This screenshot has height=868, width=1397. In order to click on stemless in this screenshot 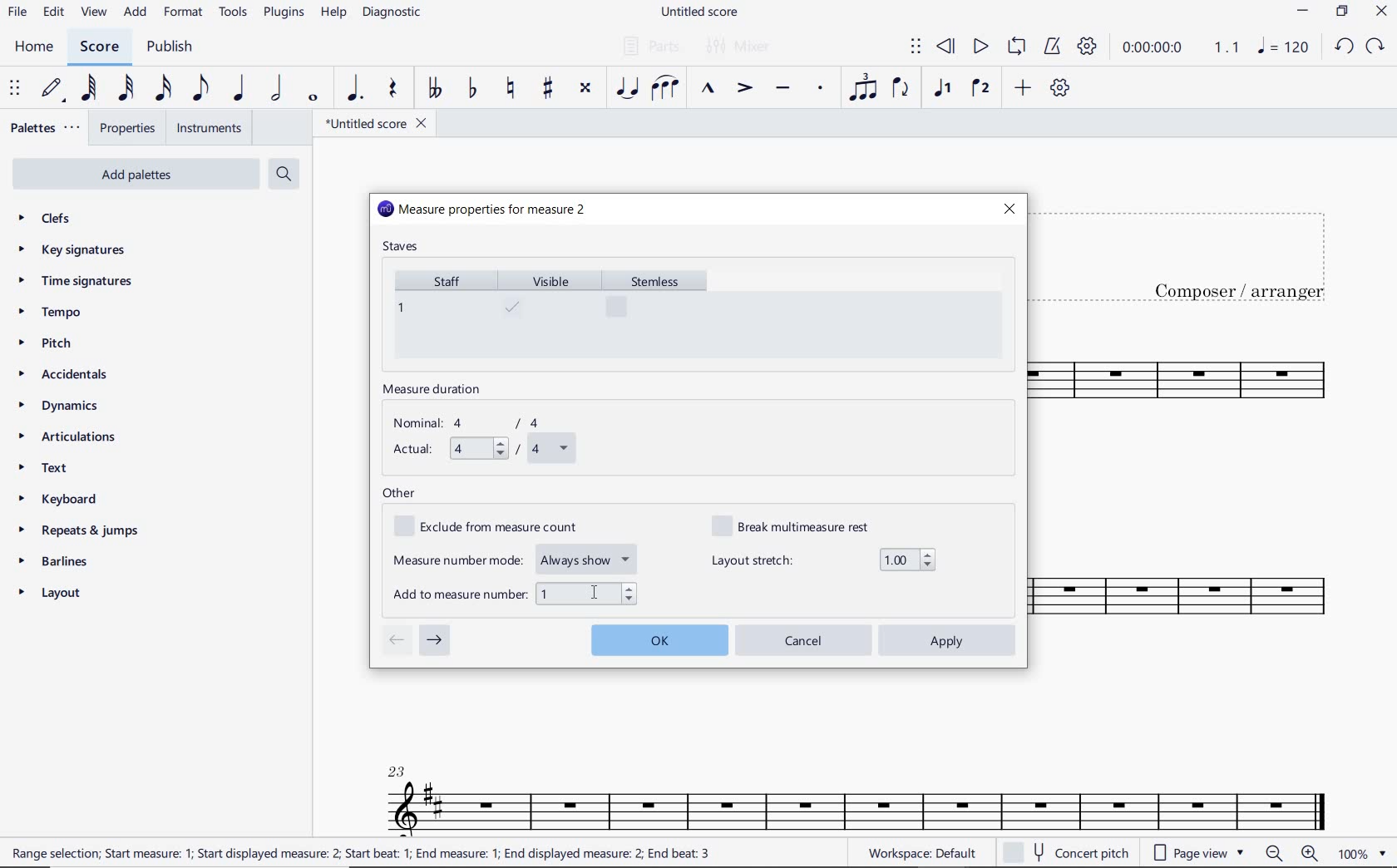, I will do `click(662, 313)`.